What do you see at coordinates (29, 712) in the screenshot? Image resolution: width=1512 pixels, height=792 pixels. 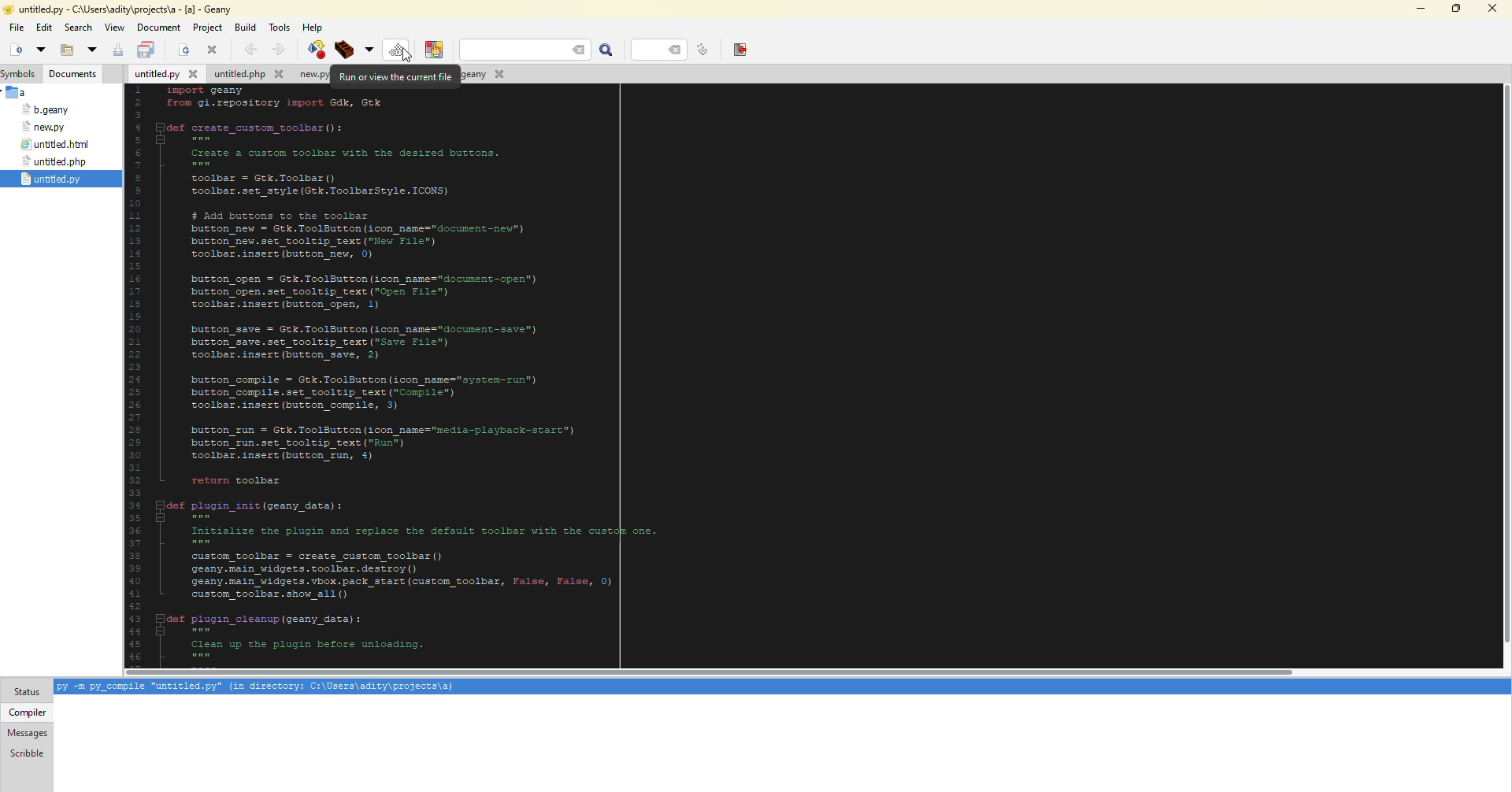 I see `compiler` at bounding box center [29, 712].